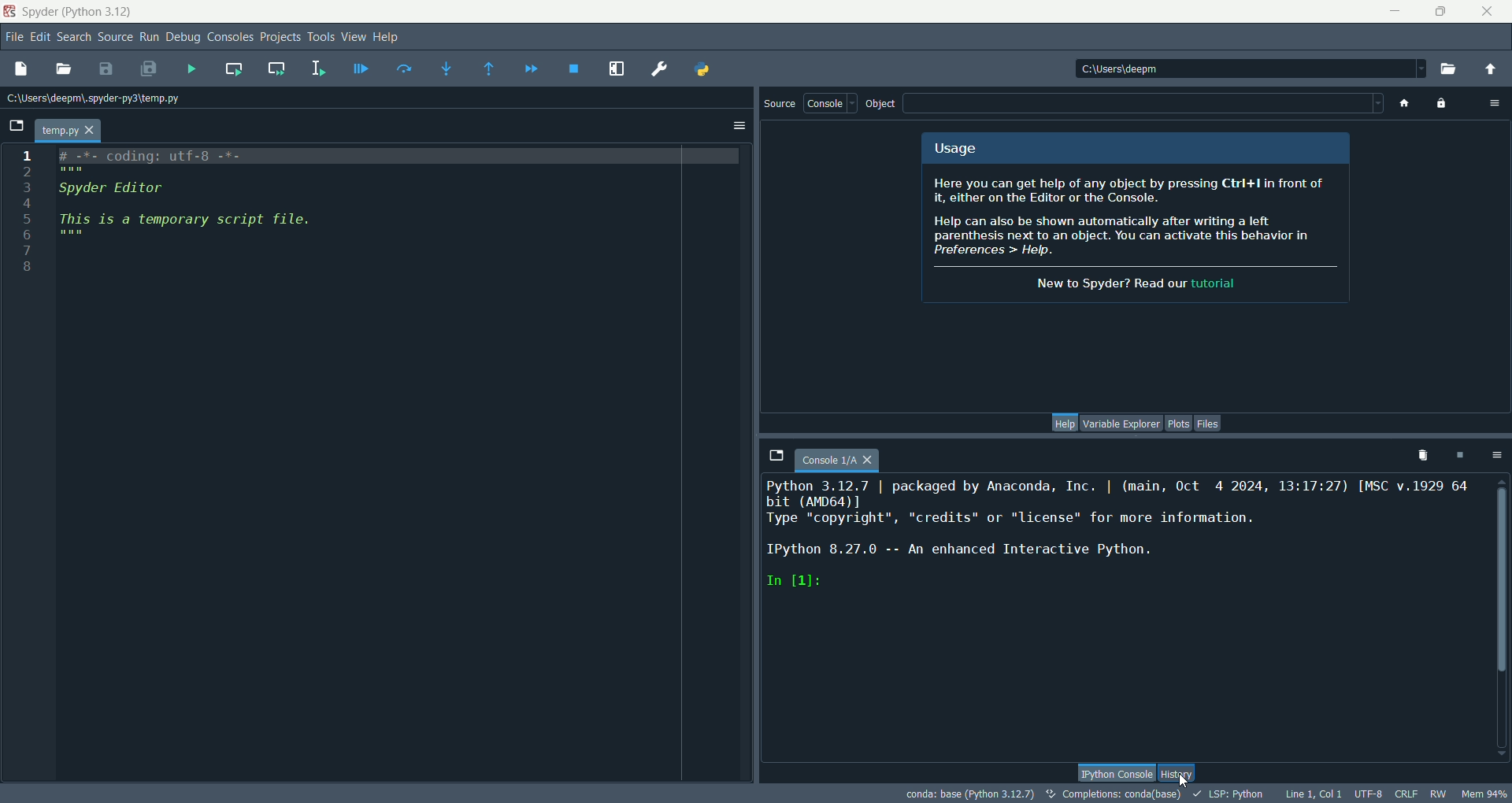 The width and height of the screenshot is (1512, 803). What do you see at coordinates (1124, 544) in the screenshot?
I see `text console` at bounding box center [1124, 544].